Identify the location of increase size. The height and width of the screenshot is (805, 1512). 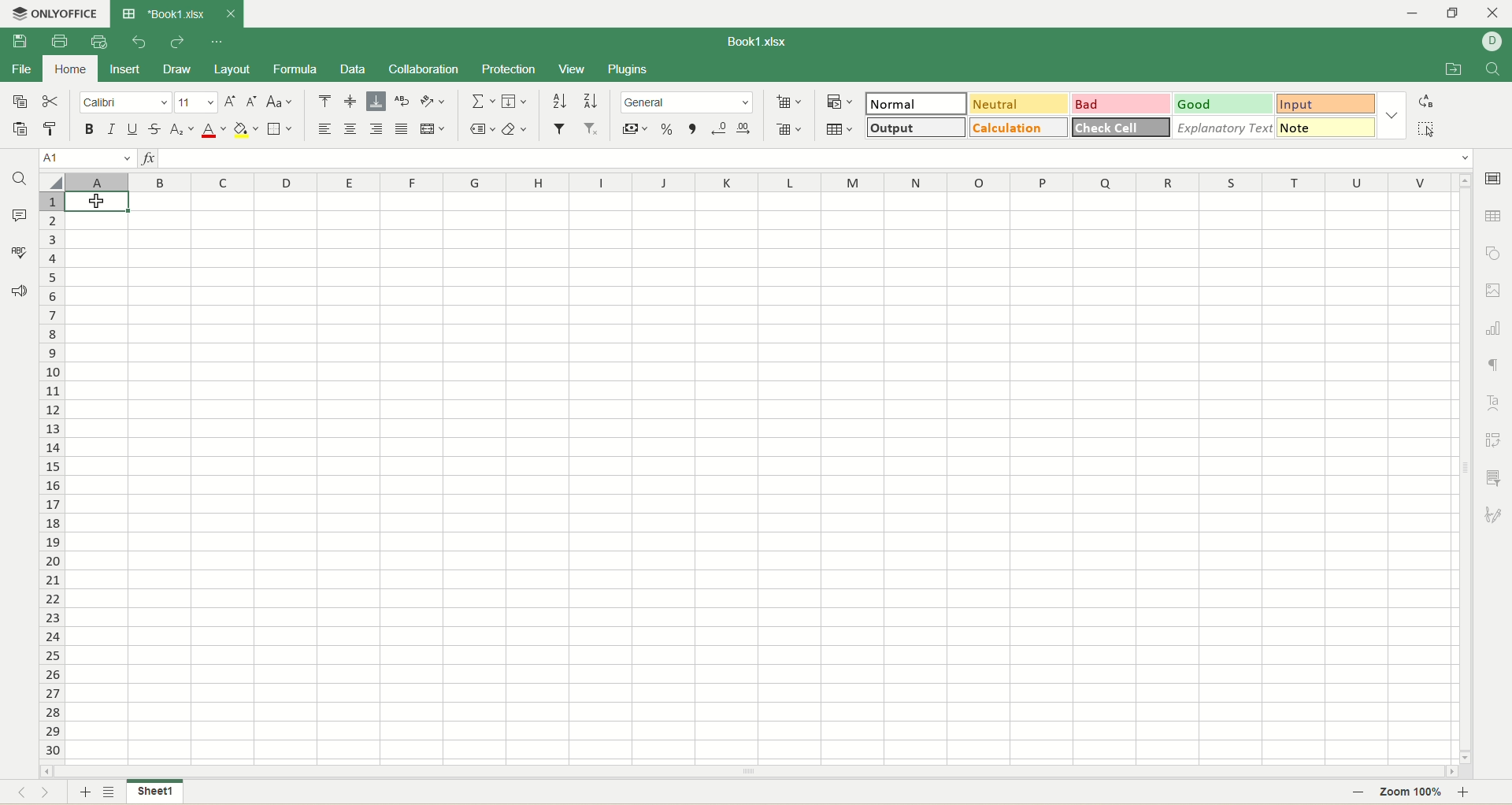
(232, 102).